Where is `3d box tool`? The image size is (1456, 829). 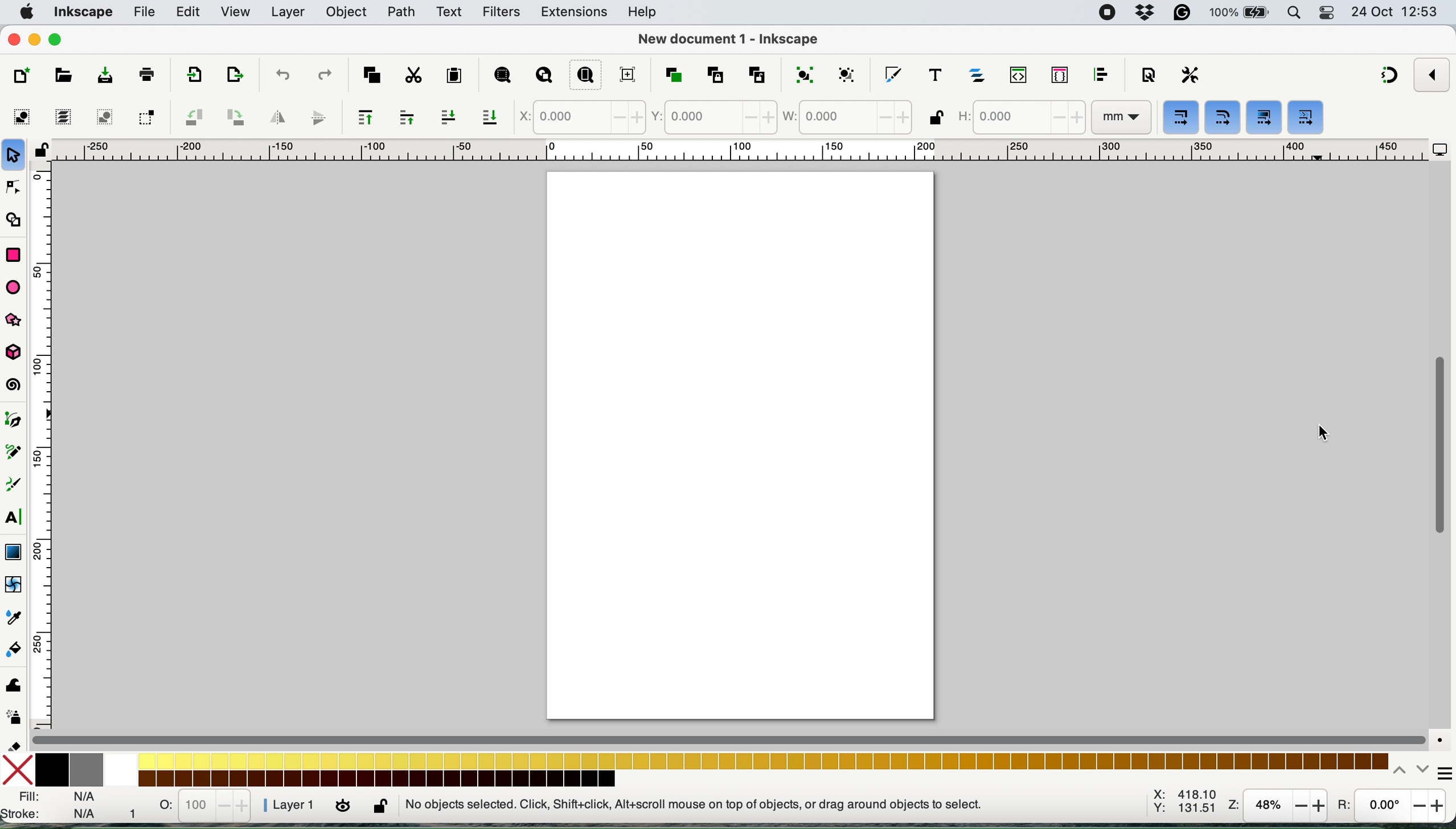 3d box tool is located at coordinates (17, 352).